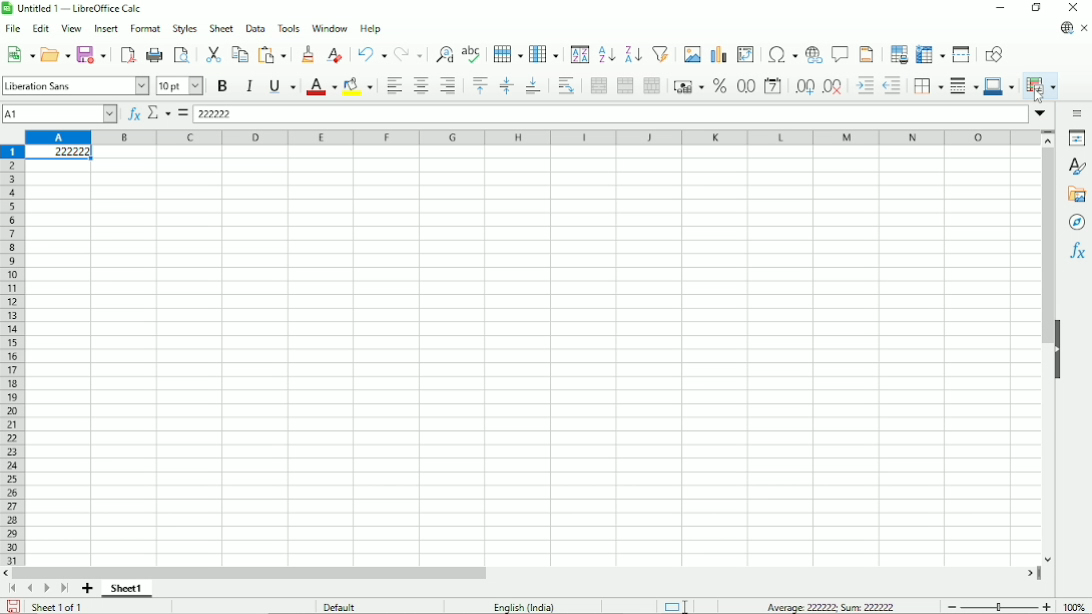 This screenshot has height=614, width=1092. I want to click on Title, so click(75, 10).